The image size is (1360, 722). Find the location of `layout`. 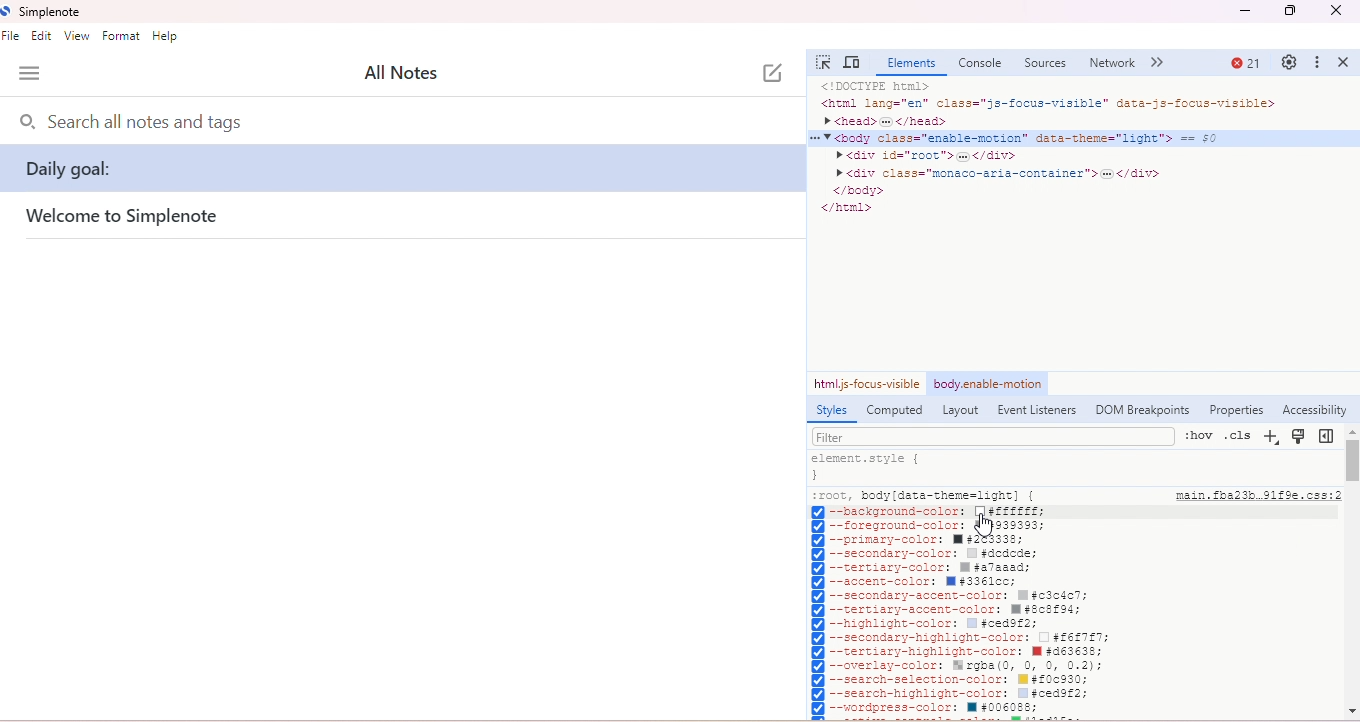

layout is located at coordinates (960, 412).